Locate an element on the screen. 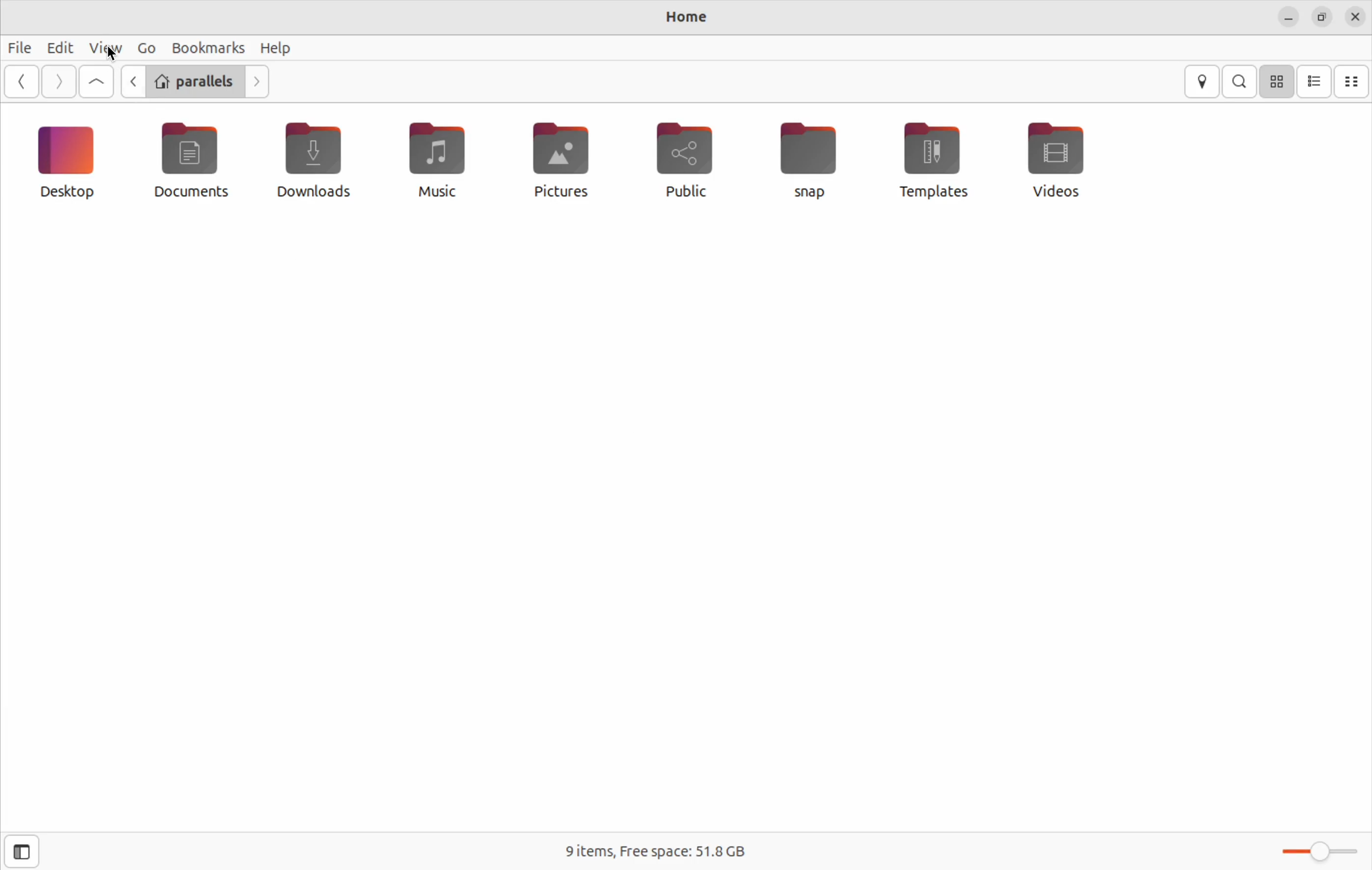 The width and height of the screenshot is (1372, 870). opens side bar is located at coordinates (23, 850).